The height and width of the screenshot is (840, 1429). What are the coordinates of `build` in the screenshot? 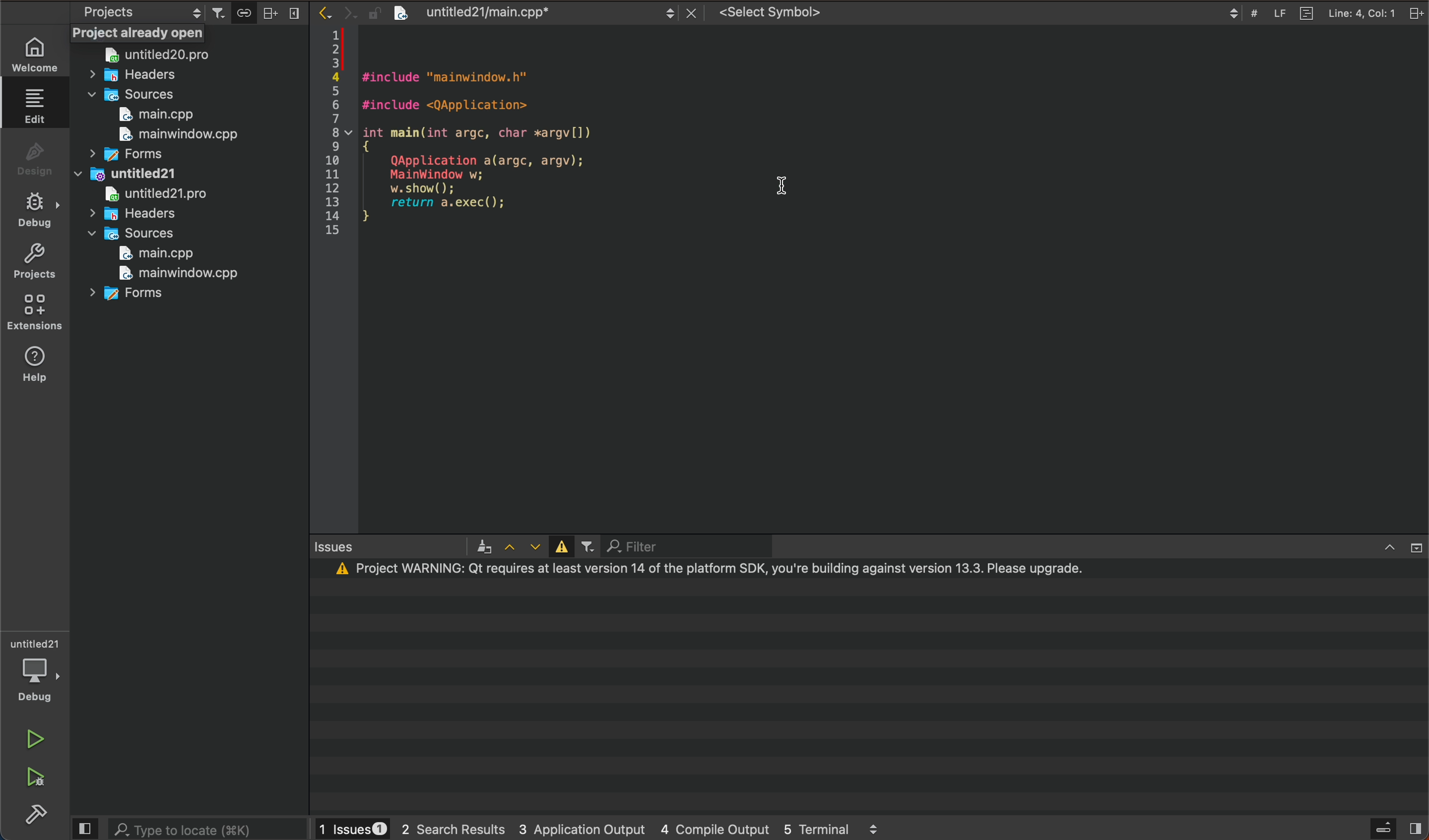 It's located at (37, 814).